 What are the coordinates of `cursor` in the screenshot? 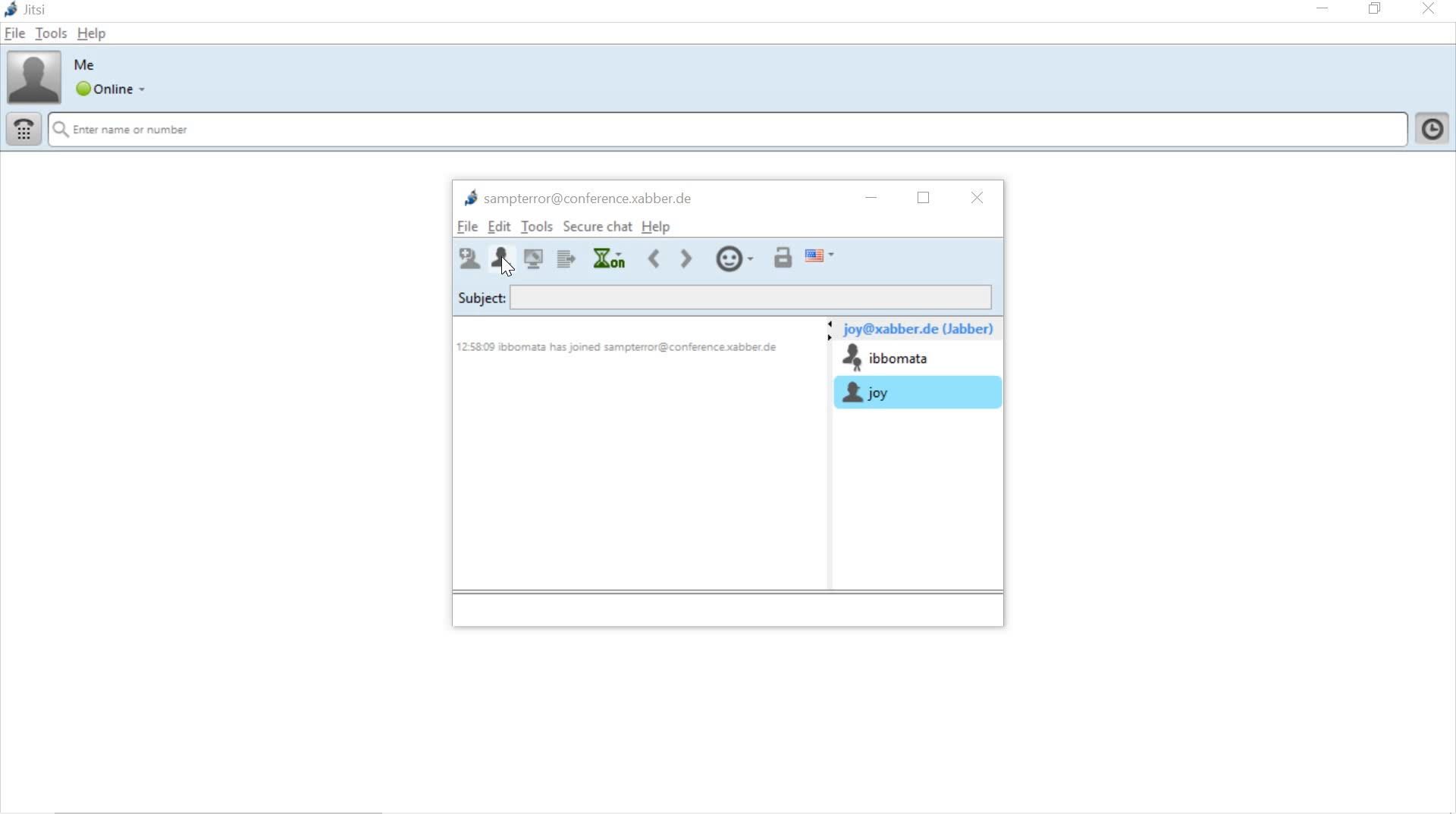 It's located at (506, 267).